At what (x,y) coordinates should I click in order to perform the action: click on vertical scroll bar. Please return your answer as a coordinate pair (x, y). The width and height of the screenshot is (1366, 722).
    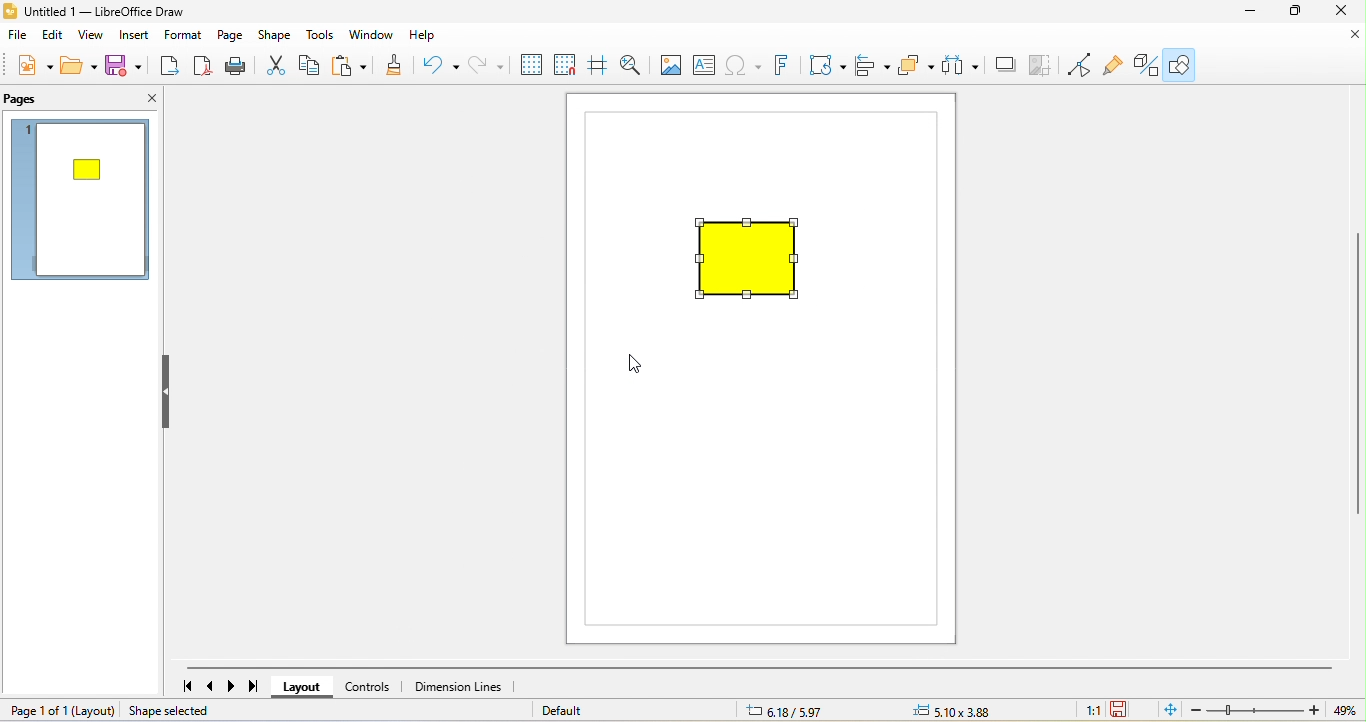
    Looking at the image, I should click on (1357, 380).